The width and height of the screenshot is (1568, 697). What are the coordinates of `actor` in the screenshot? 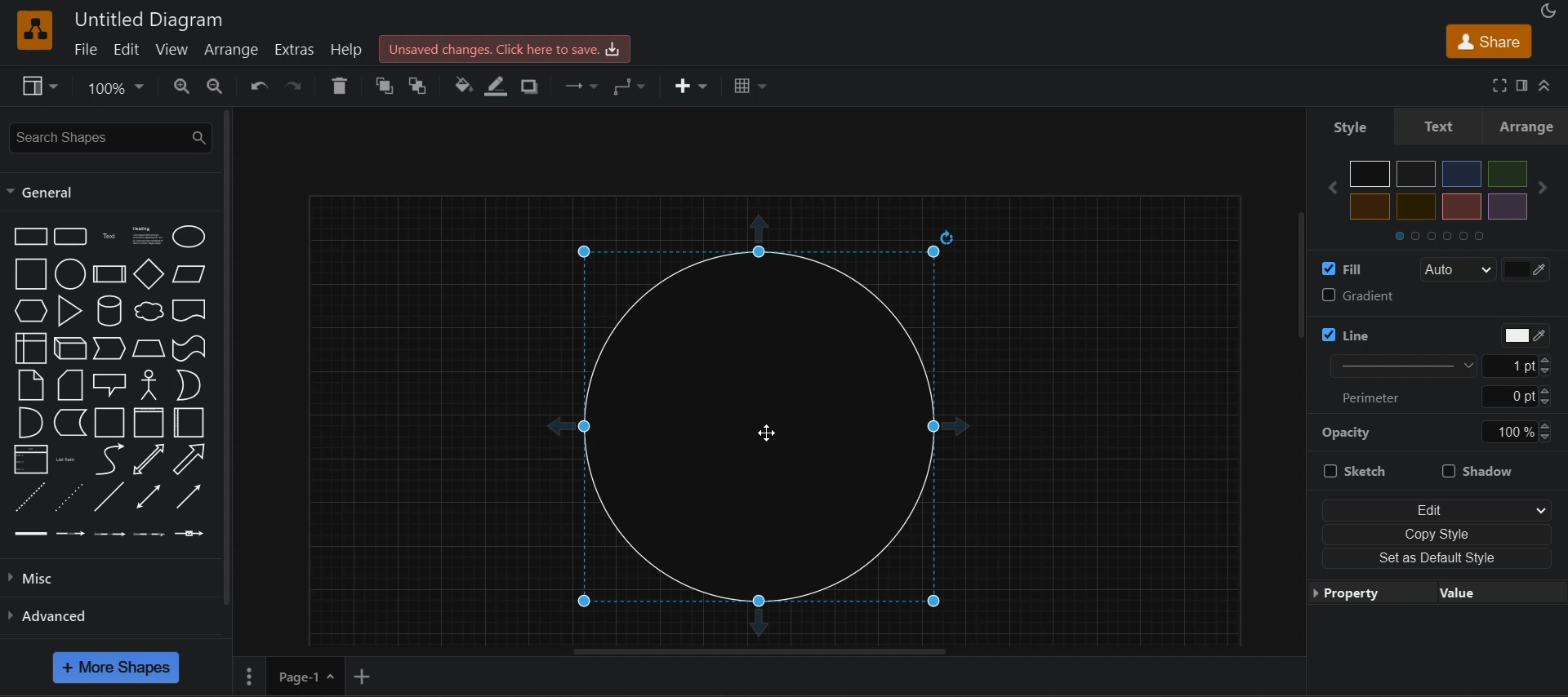 It's located at (151, 387).